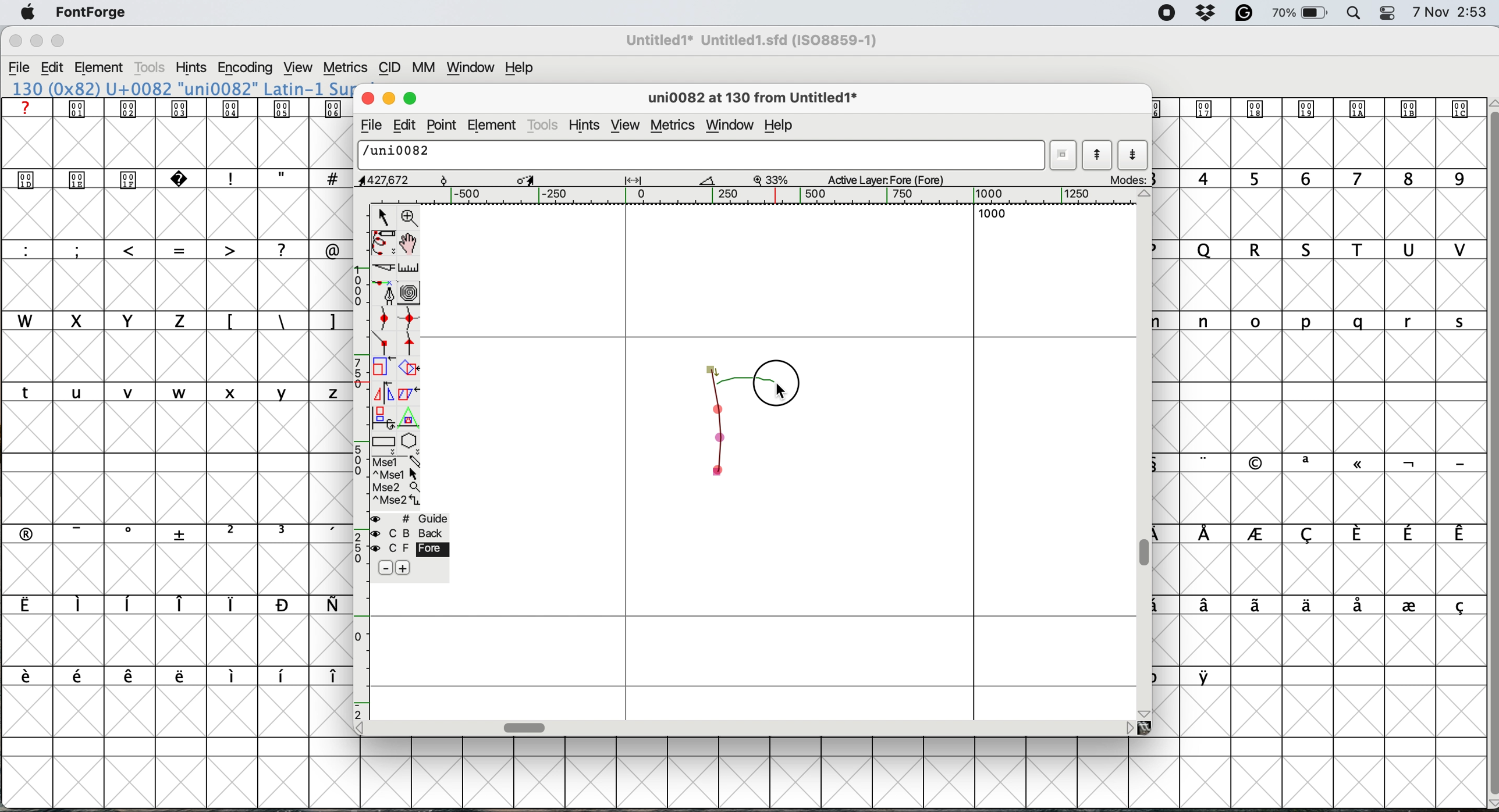 Image resolution: width=1499 pixels, height=812 pixels. I want to click on vertical scroll bar, so click(1148, 552).